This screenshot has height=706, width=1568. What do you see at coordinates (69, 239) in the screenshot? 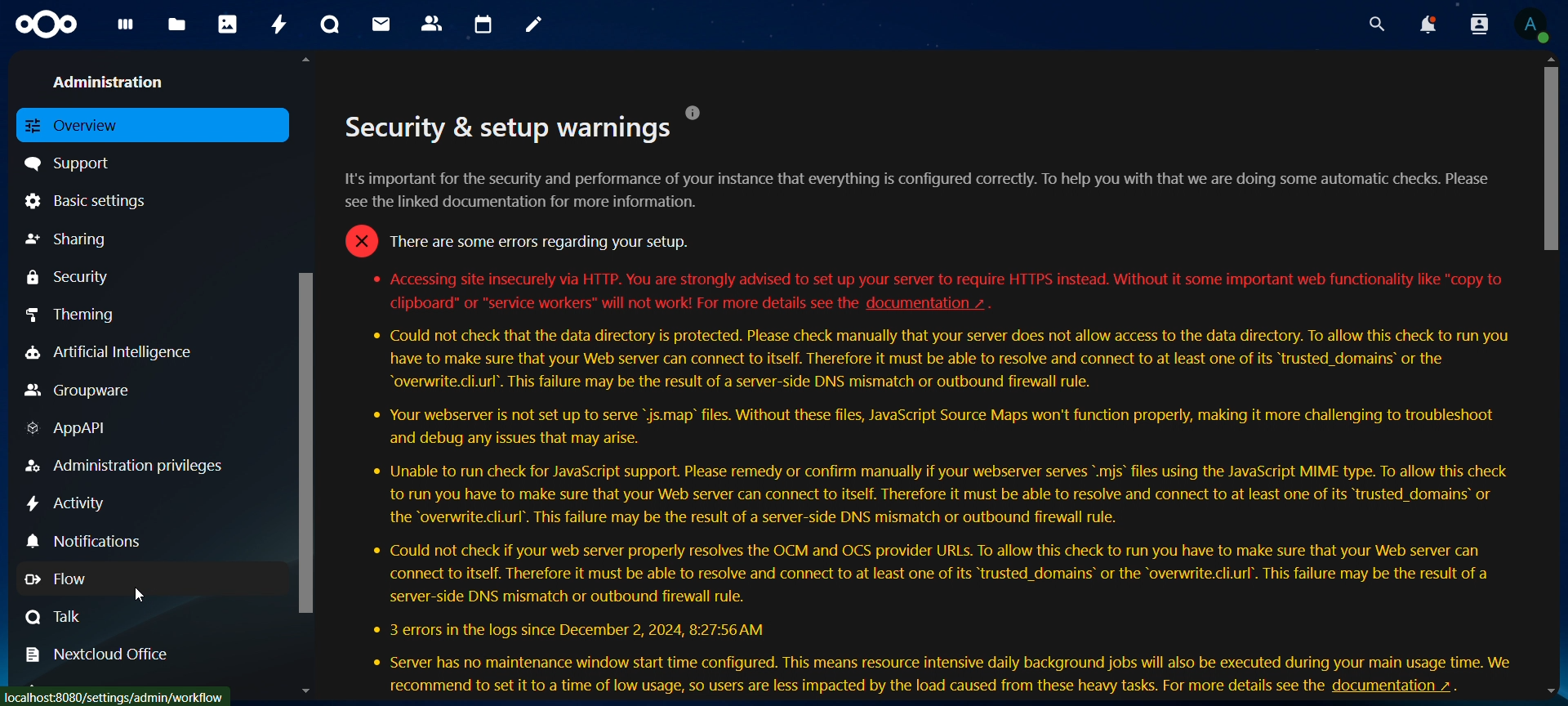
I see `sharing` at bounding box center [69, 239].